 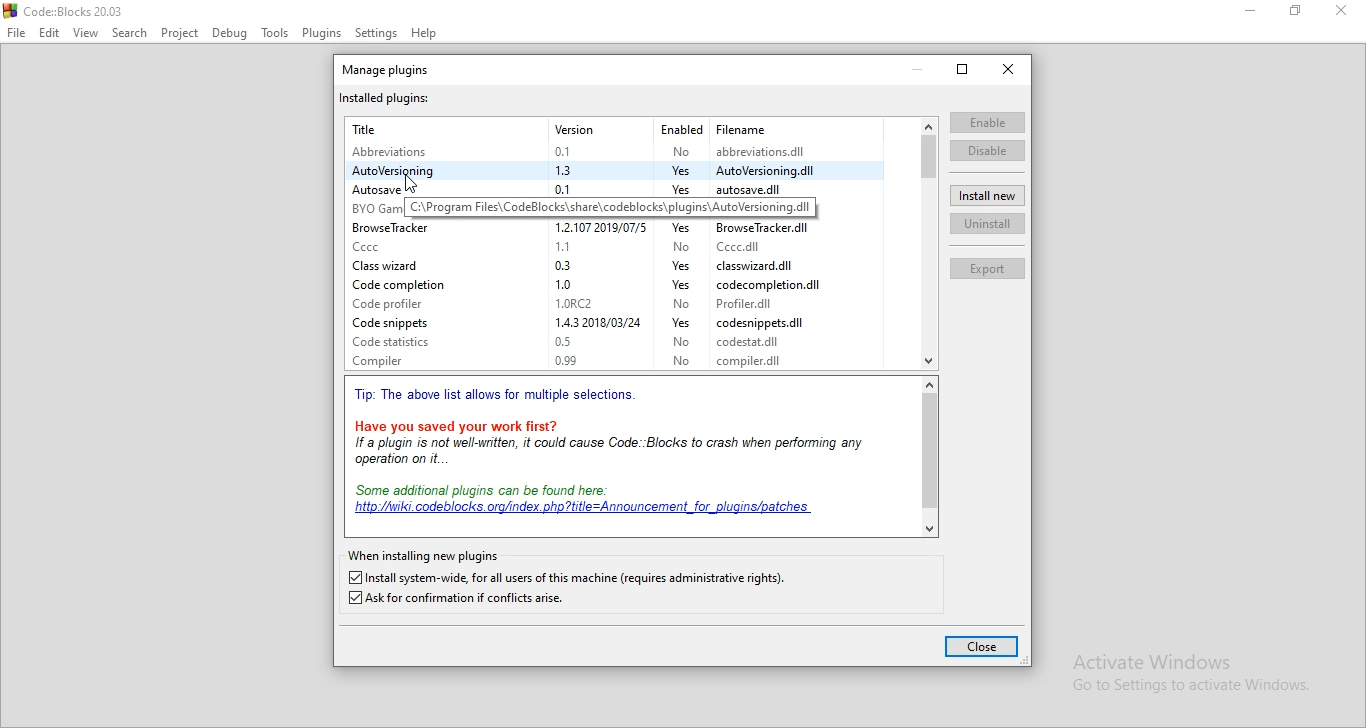 I want to click on Debug, so click(x=230, y=34).